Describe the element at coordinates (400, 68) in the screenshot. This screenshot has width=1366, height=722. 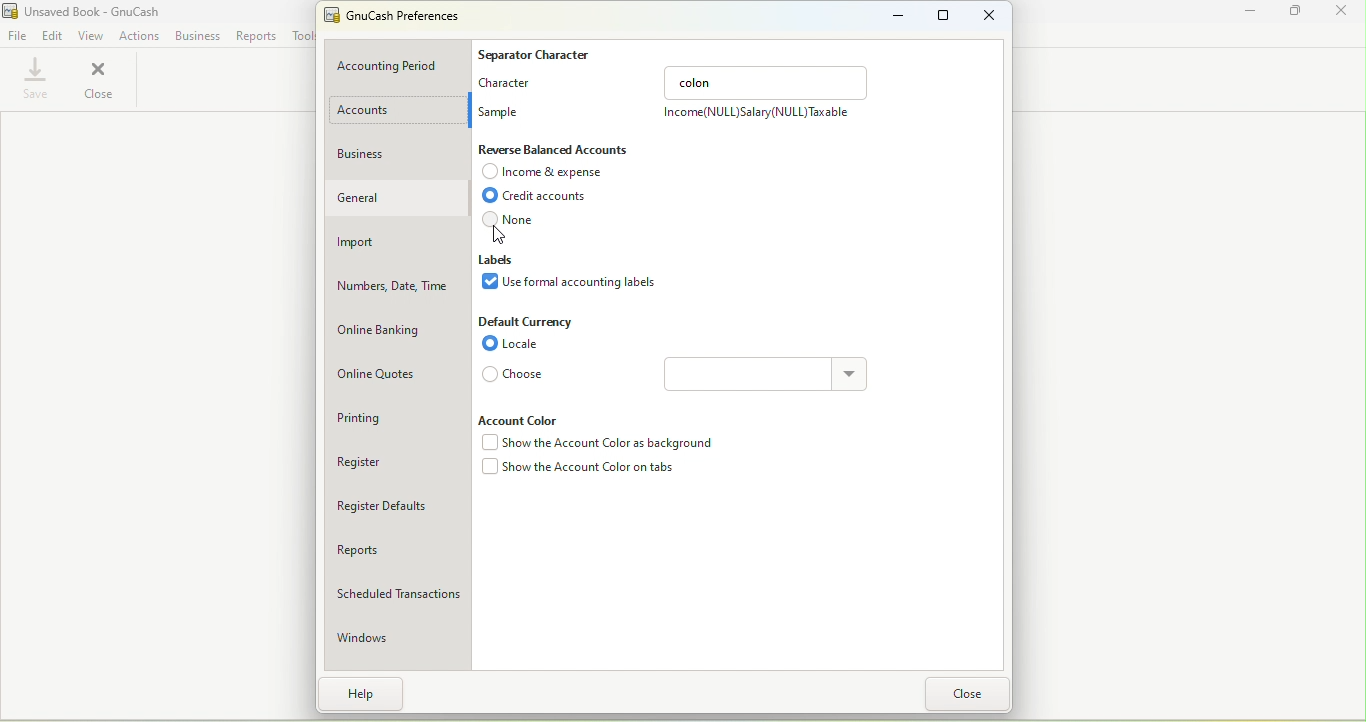
I see `Accounting period` at that location.